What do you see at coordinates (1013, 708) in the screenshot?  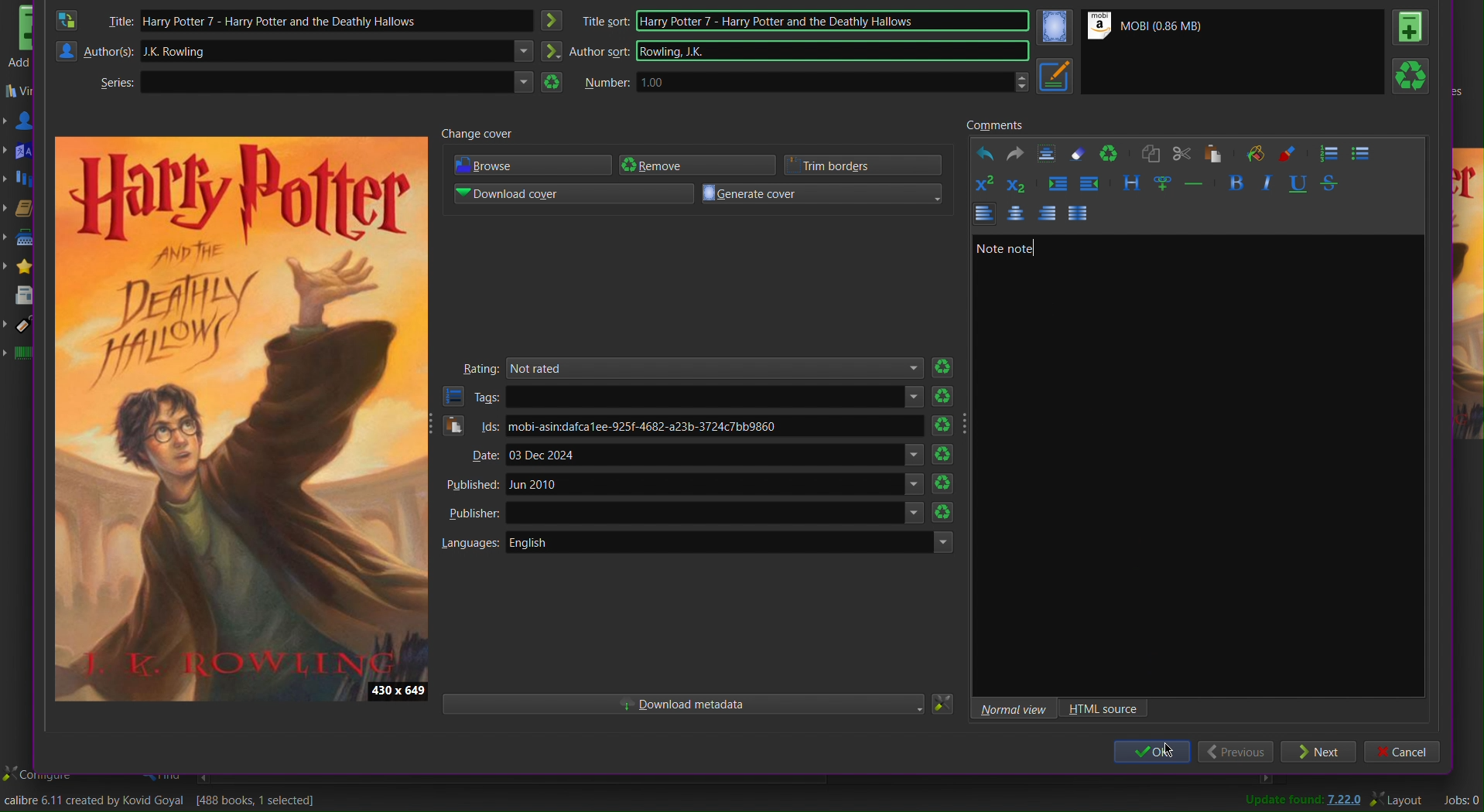 I see `Normal view` at bounding box center [1013, 708].